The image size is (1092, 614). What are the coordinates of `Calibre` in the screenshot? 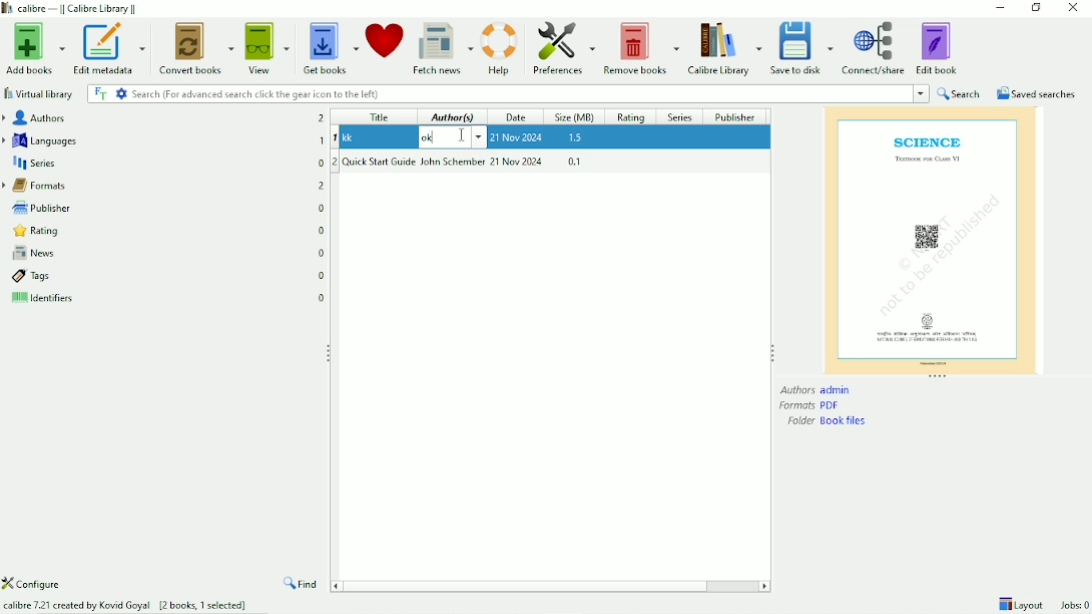 It's located at (724, 49).